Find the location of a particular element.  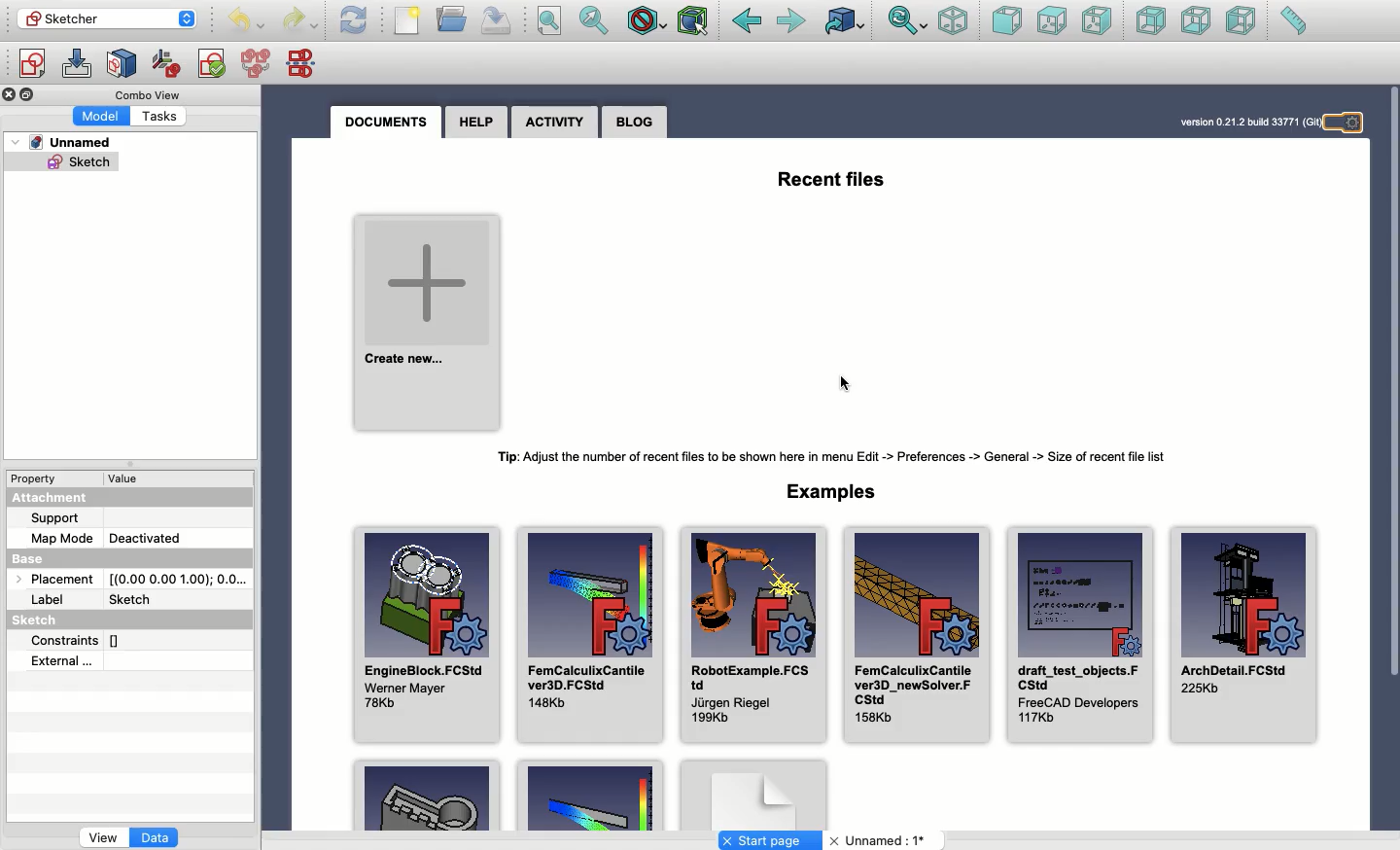

Example 2 is located at coordinates (588, 797).